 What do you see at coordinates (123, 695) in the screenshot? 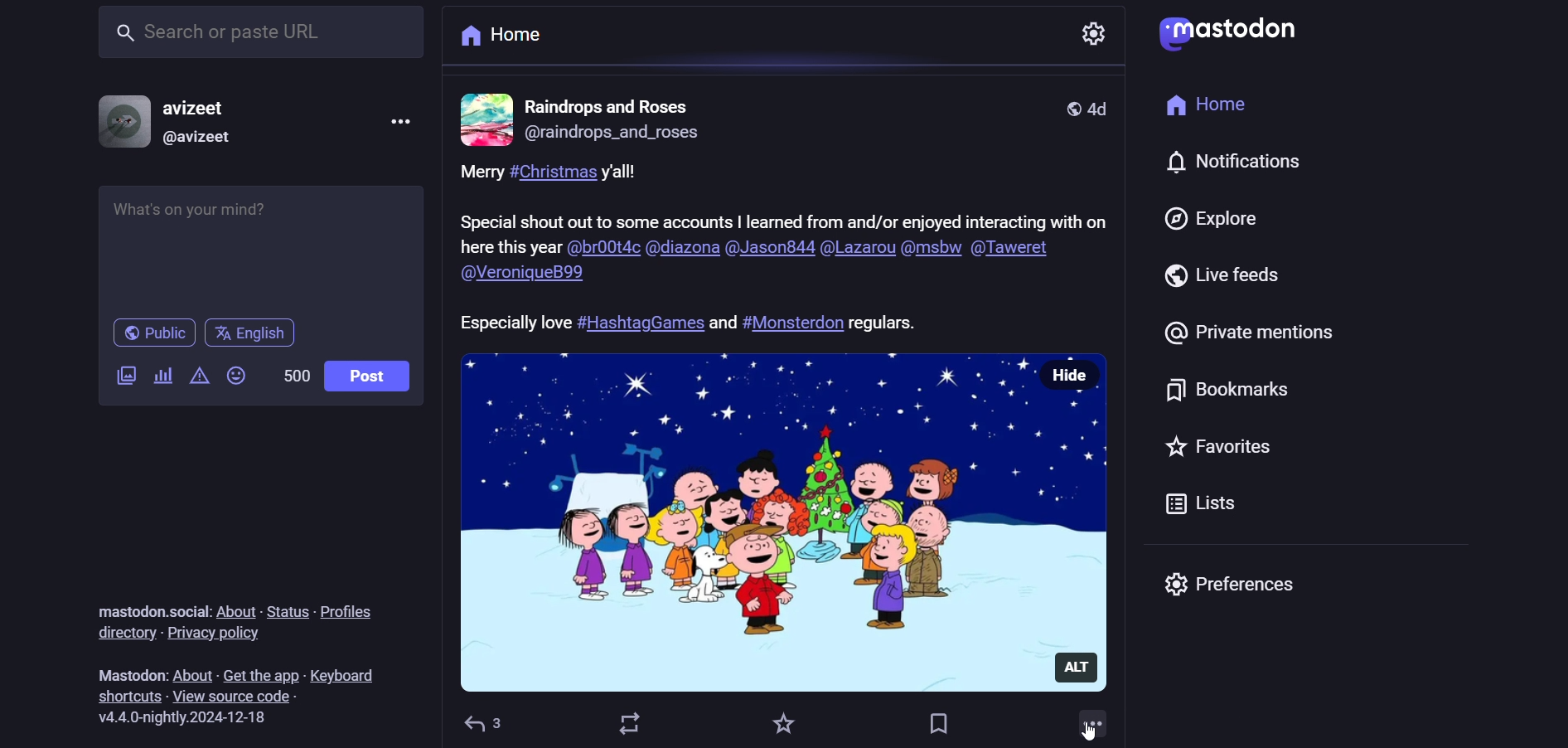
I see `shortcuts` at bounding box center [123, 695].